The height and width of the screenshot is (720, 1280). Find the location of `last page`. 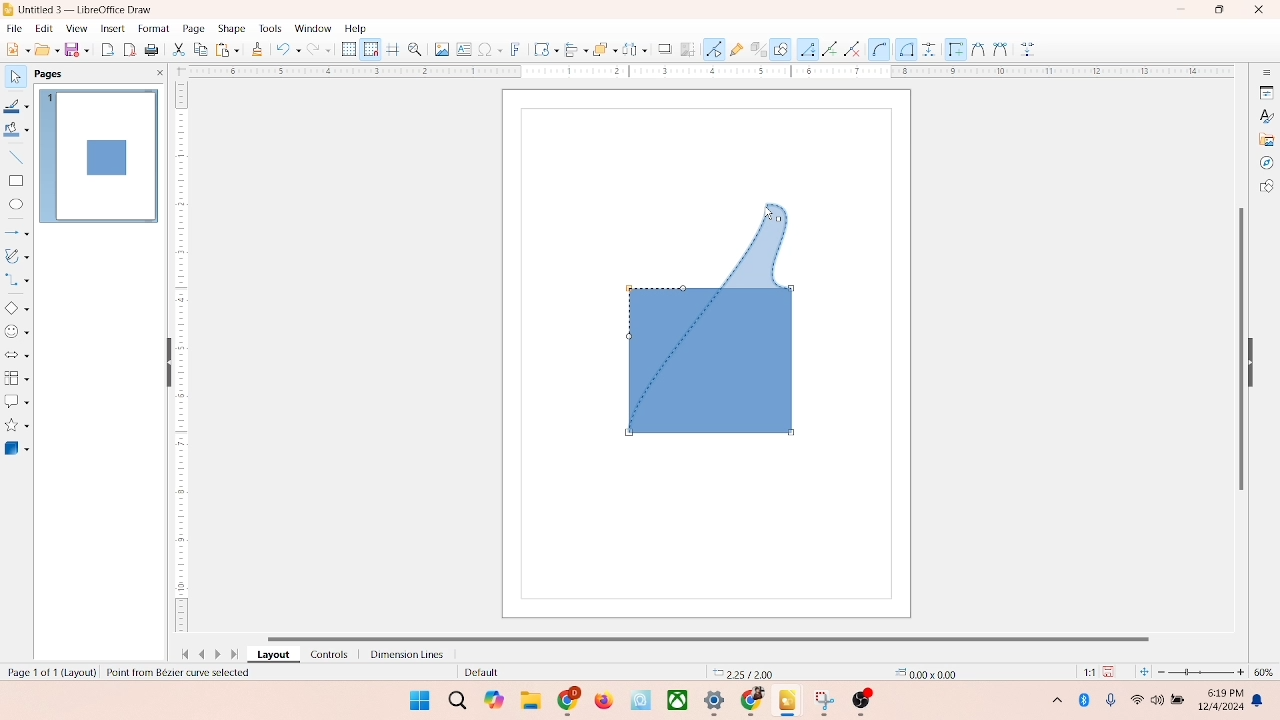

last page is located at coordinates (236, 655).